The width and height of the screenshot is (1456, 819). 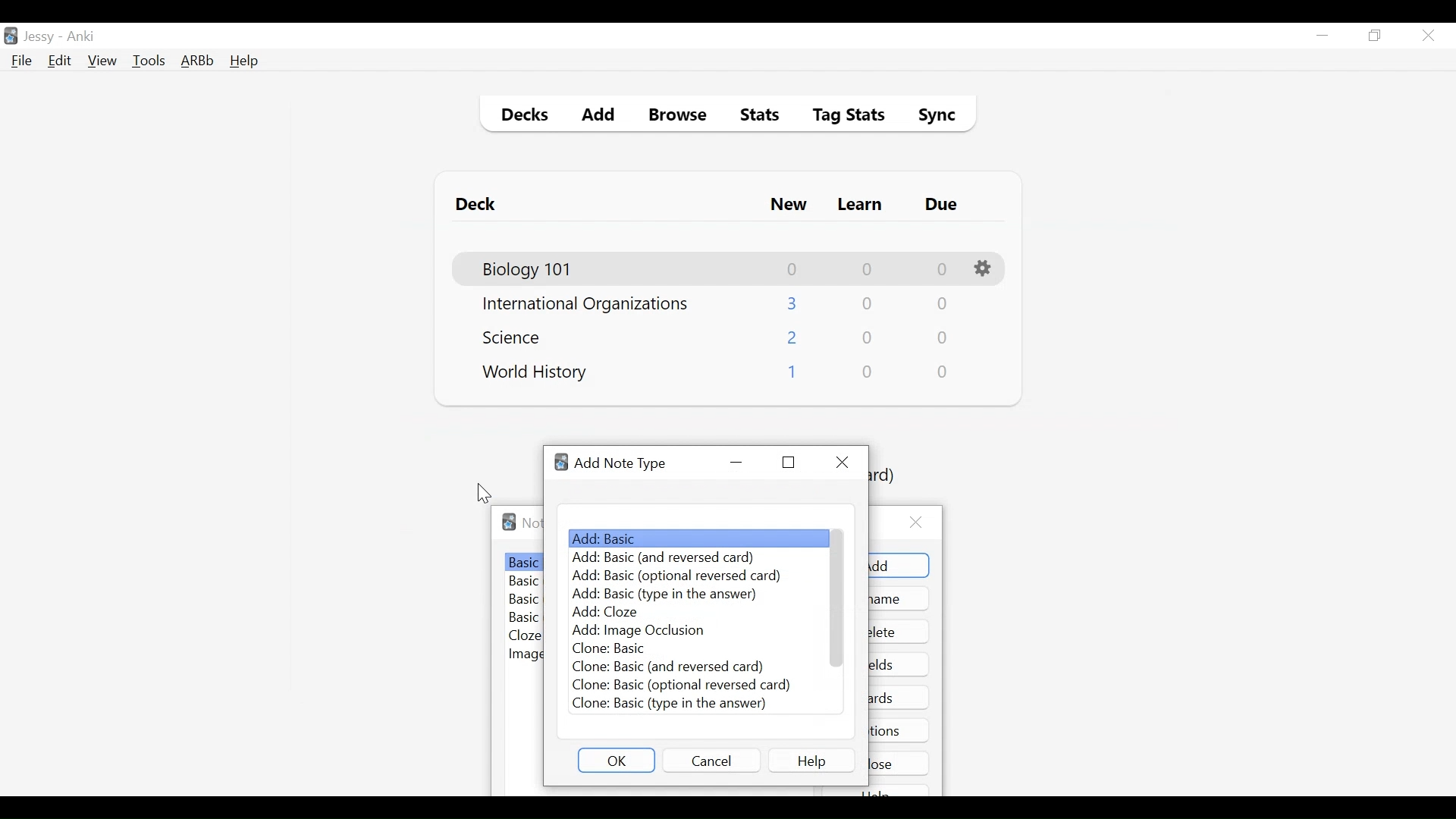 I want to click on Due Card Count, so click(x=943, y=339).